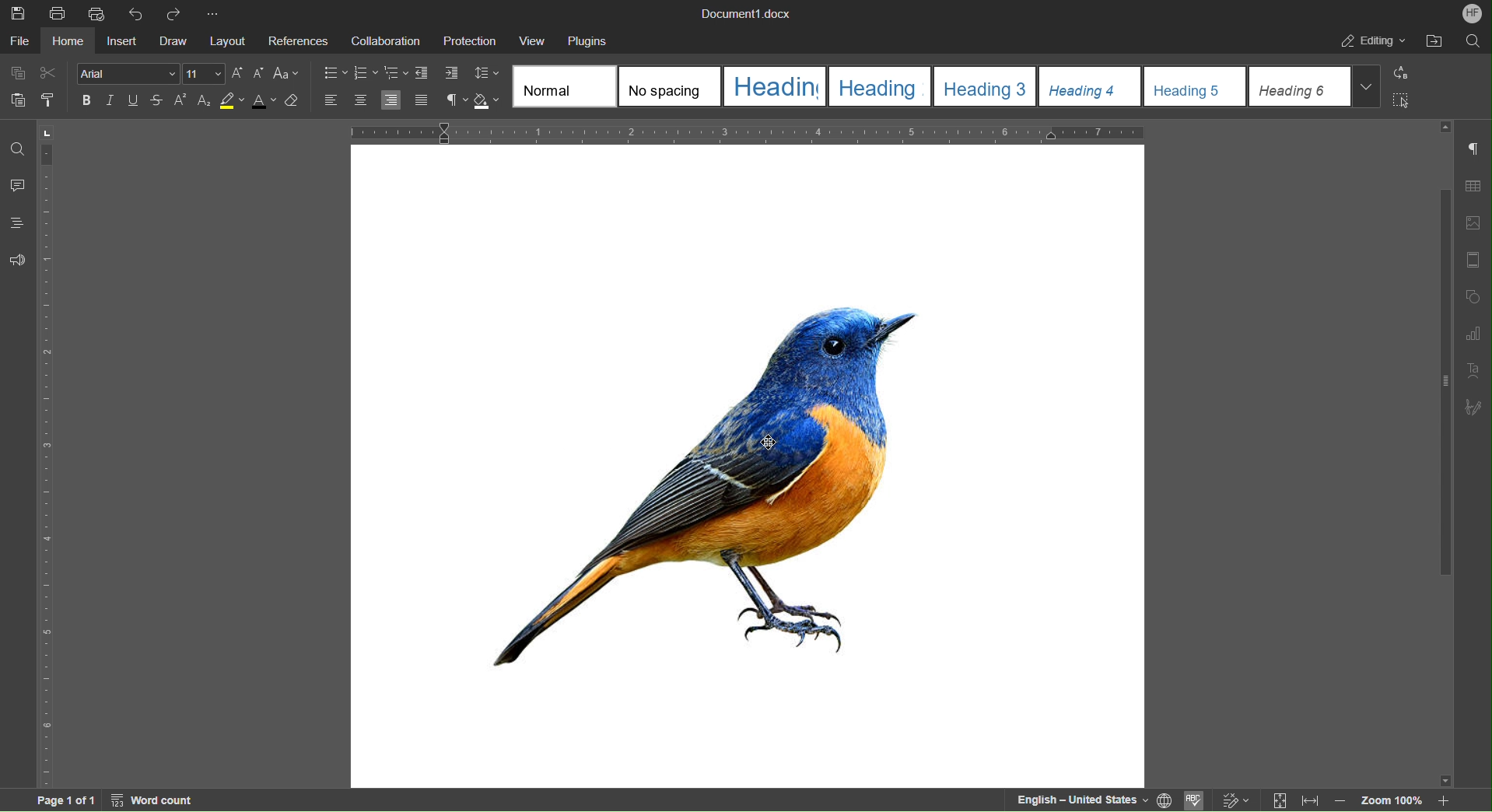 Image resolution: width=1492 pixels, height=812 pixels. Describe the element at coordinates (1472, 334) in the screenshot. I see `Graphs` at that location.